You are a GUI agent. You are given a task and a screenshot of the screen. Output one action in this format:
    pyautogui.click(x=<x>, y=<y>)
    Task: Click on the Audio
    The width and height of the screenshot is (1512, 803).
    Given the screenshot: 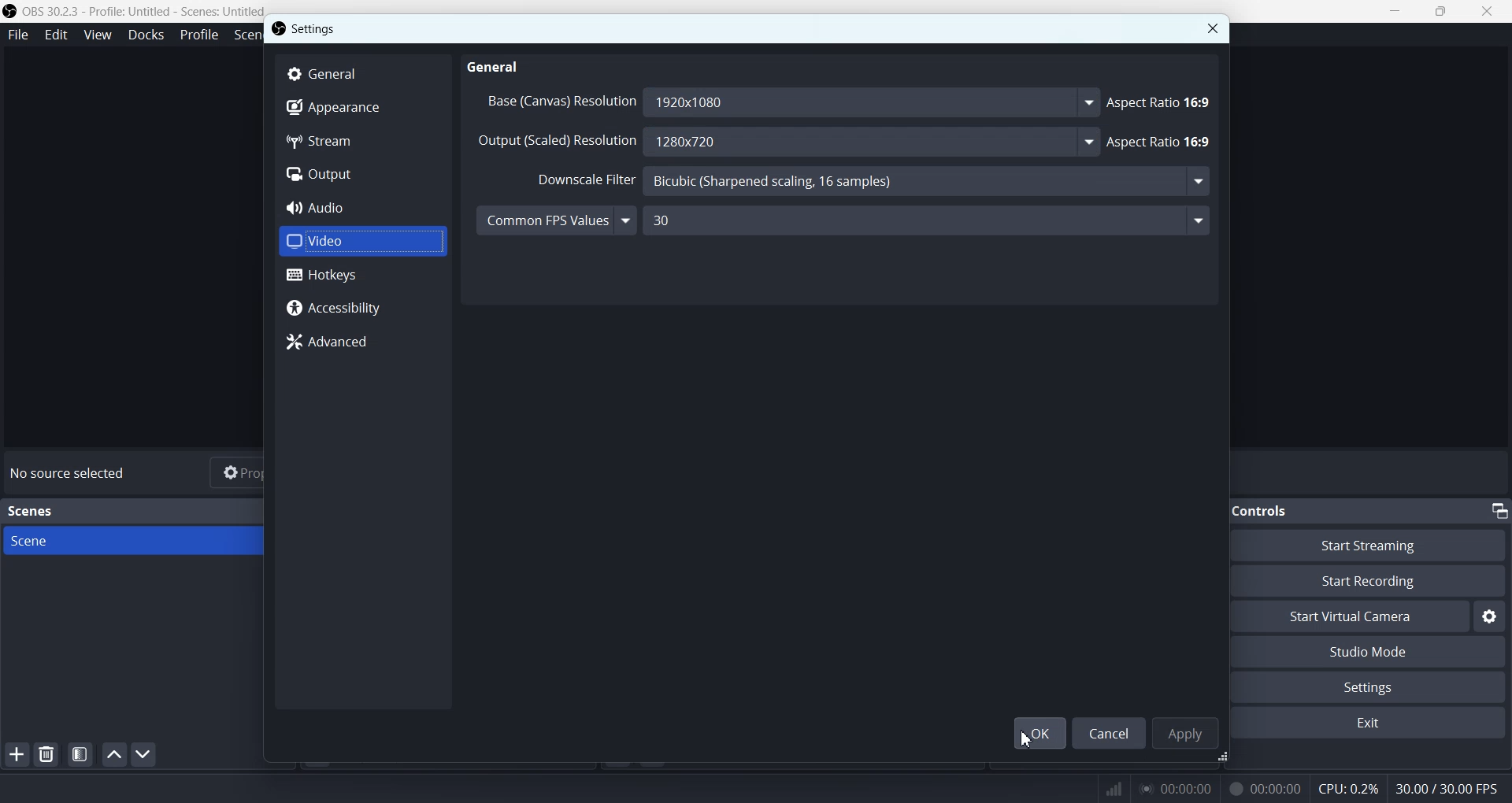 What is the action you would take?
    pyautogui.click(x=362, y=207)
    